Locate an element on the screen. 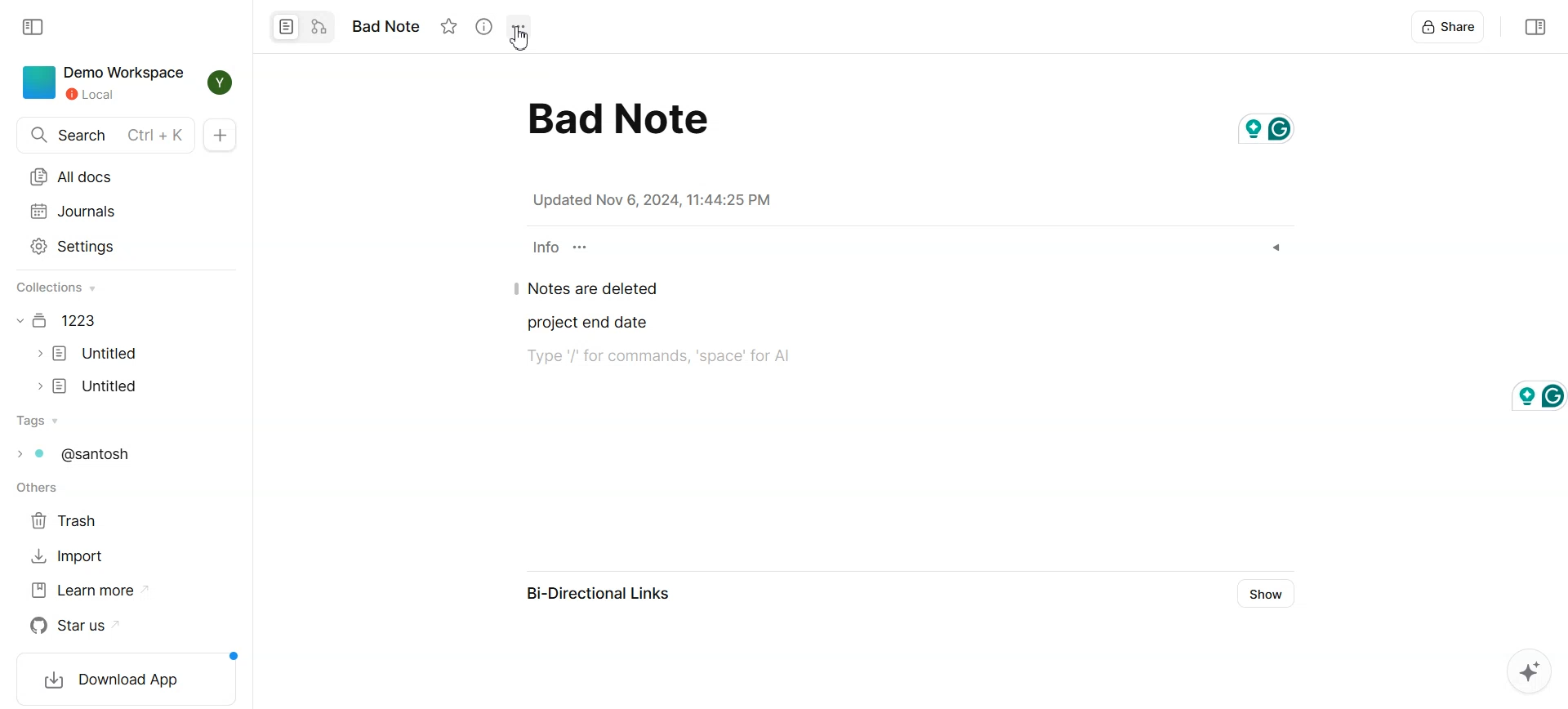 This screenshot has width=1568, height=709. cursor on settings is located at coordinates (523, 38).